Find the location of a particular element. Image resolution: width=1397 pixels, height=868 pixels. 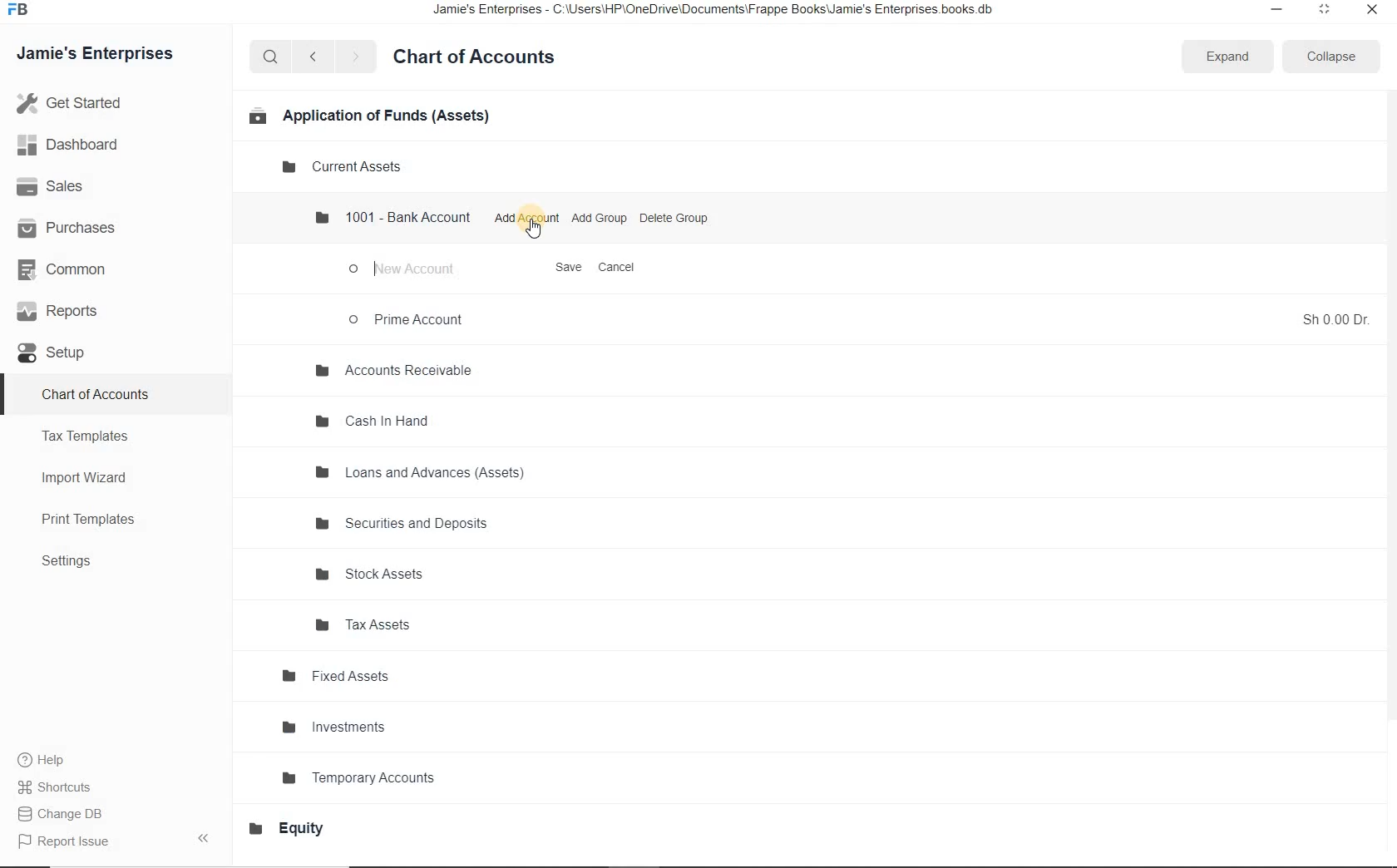

Report Issue is located at coordinates (68, 842).